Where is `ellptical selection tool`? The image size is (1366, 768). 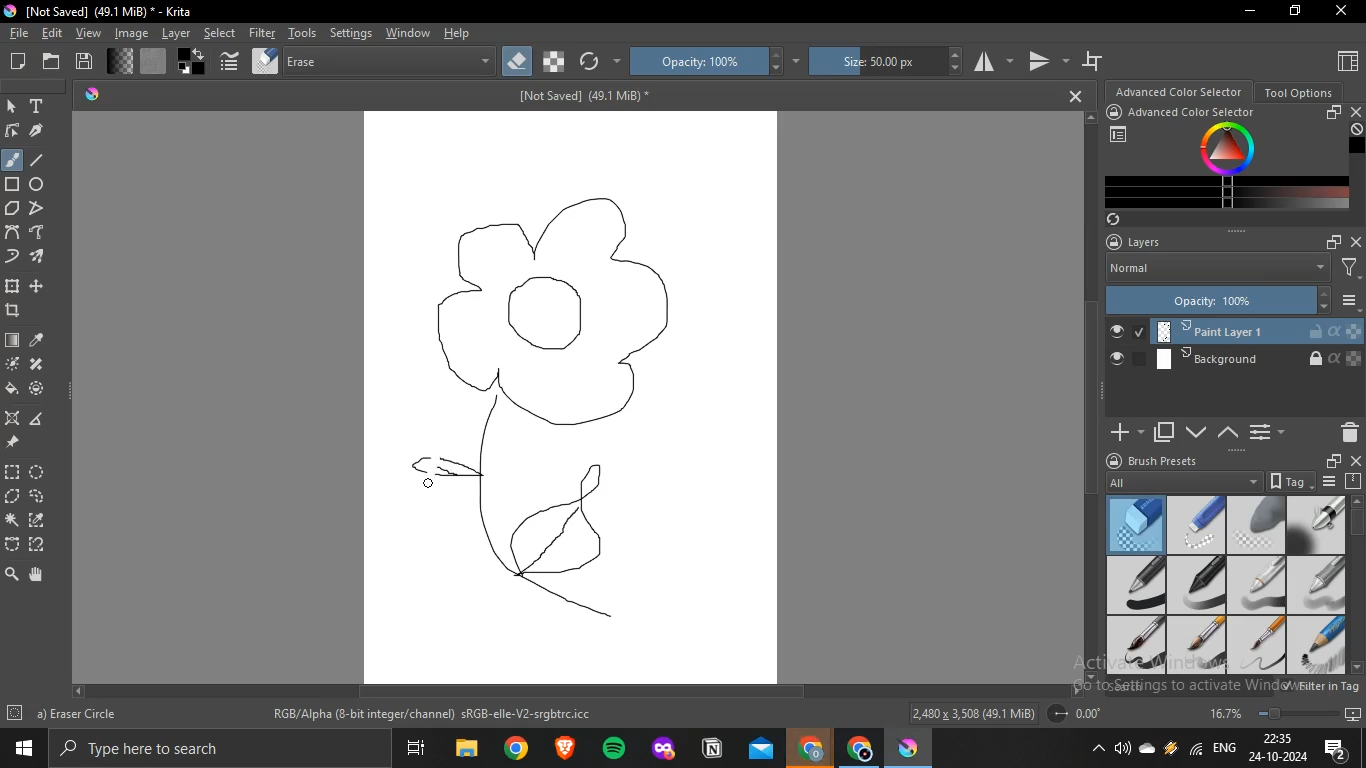
ellptical selection tool is located at coordinates (41, 472).